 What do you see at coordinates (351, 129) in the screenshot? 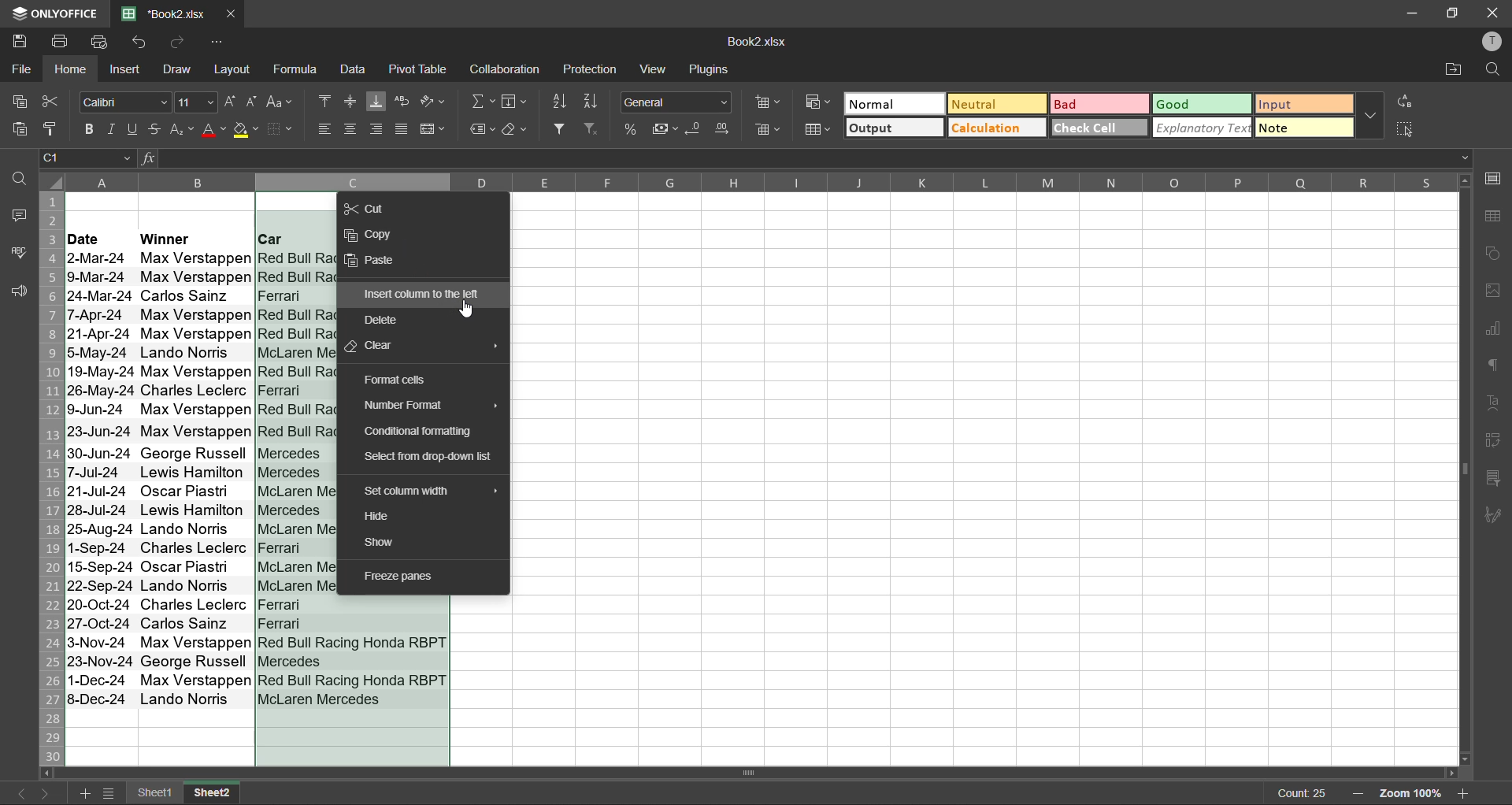
I see `align center` at bounding box center [351, 129].